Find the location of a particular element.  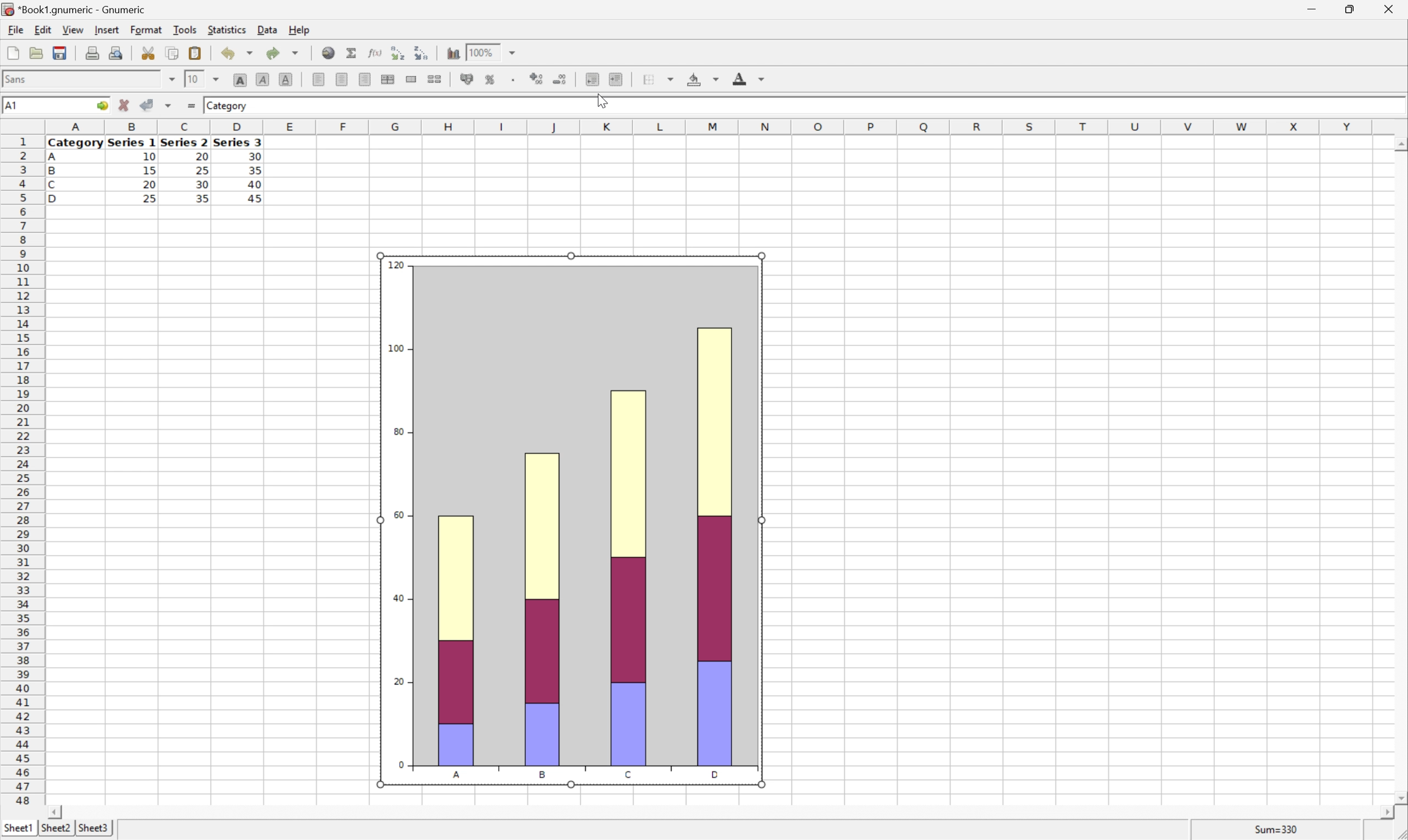

Accept changes in multiple cells is located at coordinates (168, 105).